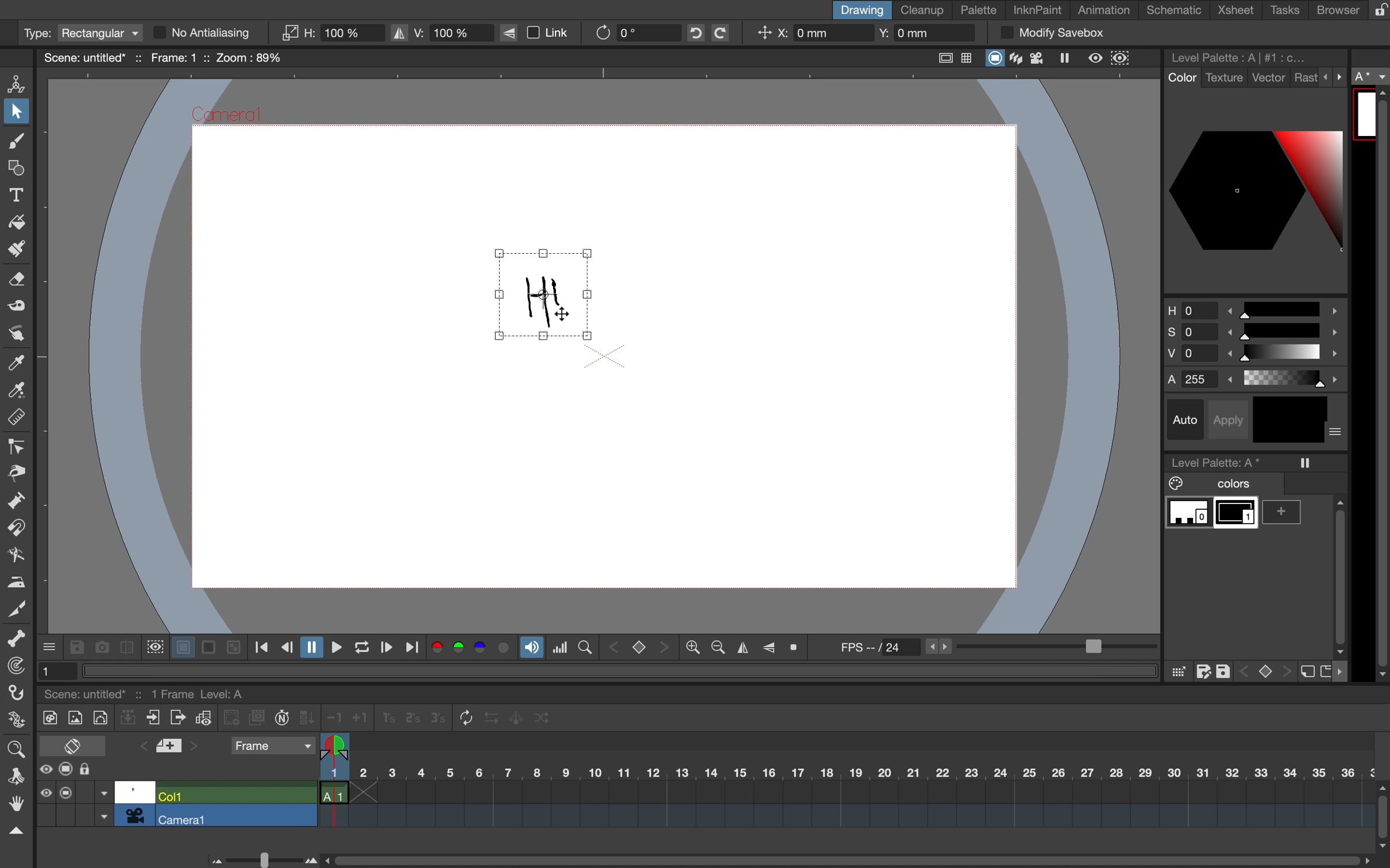 This screenshot has height=868, width=1390. Describe the element at coordinates (1253, 308) in the screenshot. I see `hue` at that location.